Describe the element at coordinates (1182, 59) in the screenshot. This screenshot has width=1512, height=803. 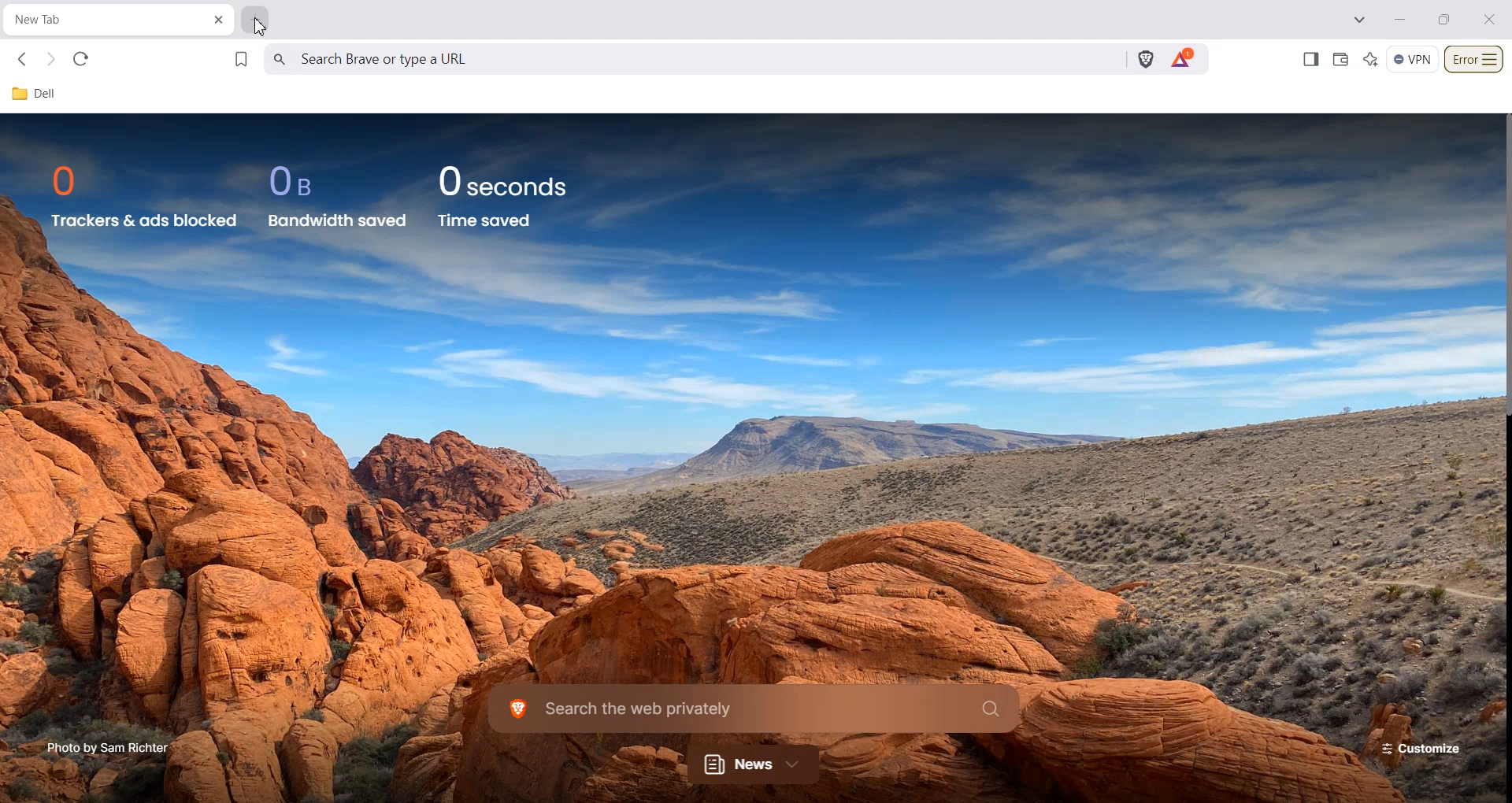
I see `Brave Rewards` at that location.